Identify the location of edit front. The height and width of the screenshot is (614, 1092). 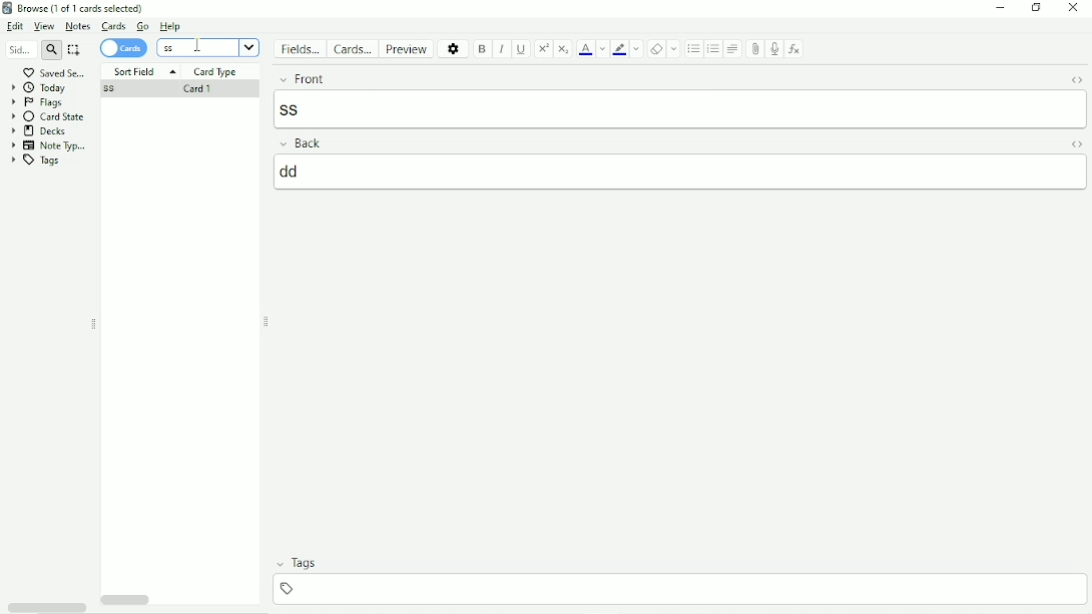
(682, 108).